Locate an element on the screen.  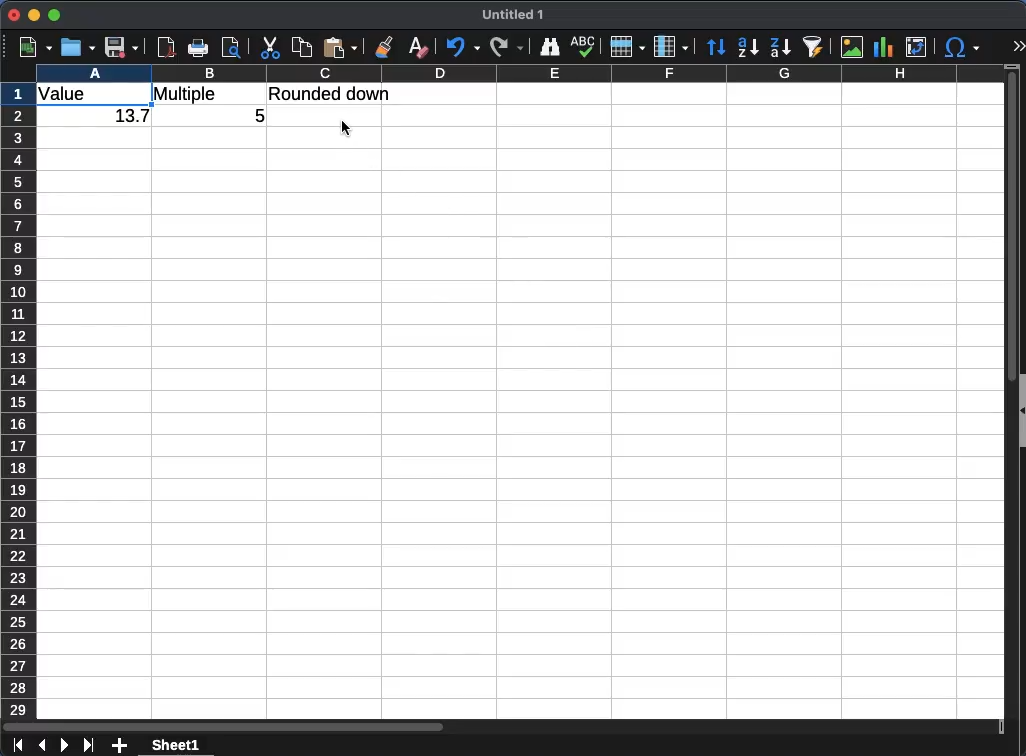
13.7 is located at coordinates (128, 118).